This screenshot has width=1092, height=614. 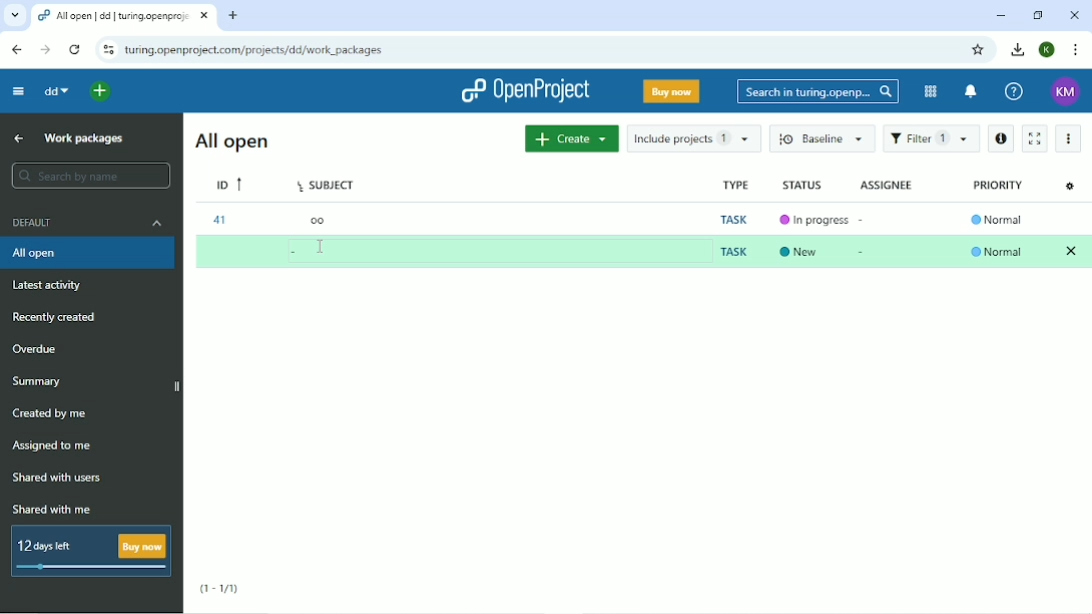 I want to click on (1-1/1), so click(x=222, y=585).